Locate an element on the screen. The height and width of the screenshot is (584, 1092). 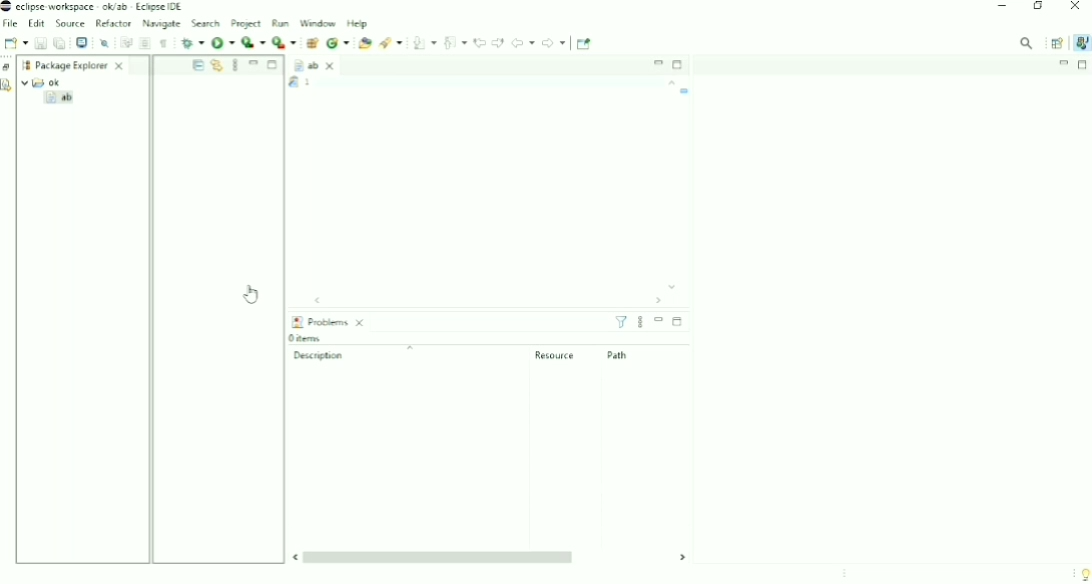
Maximize is located at coordinates (679, 65).